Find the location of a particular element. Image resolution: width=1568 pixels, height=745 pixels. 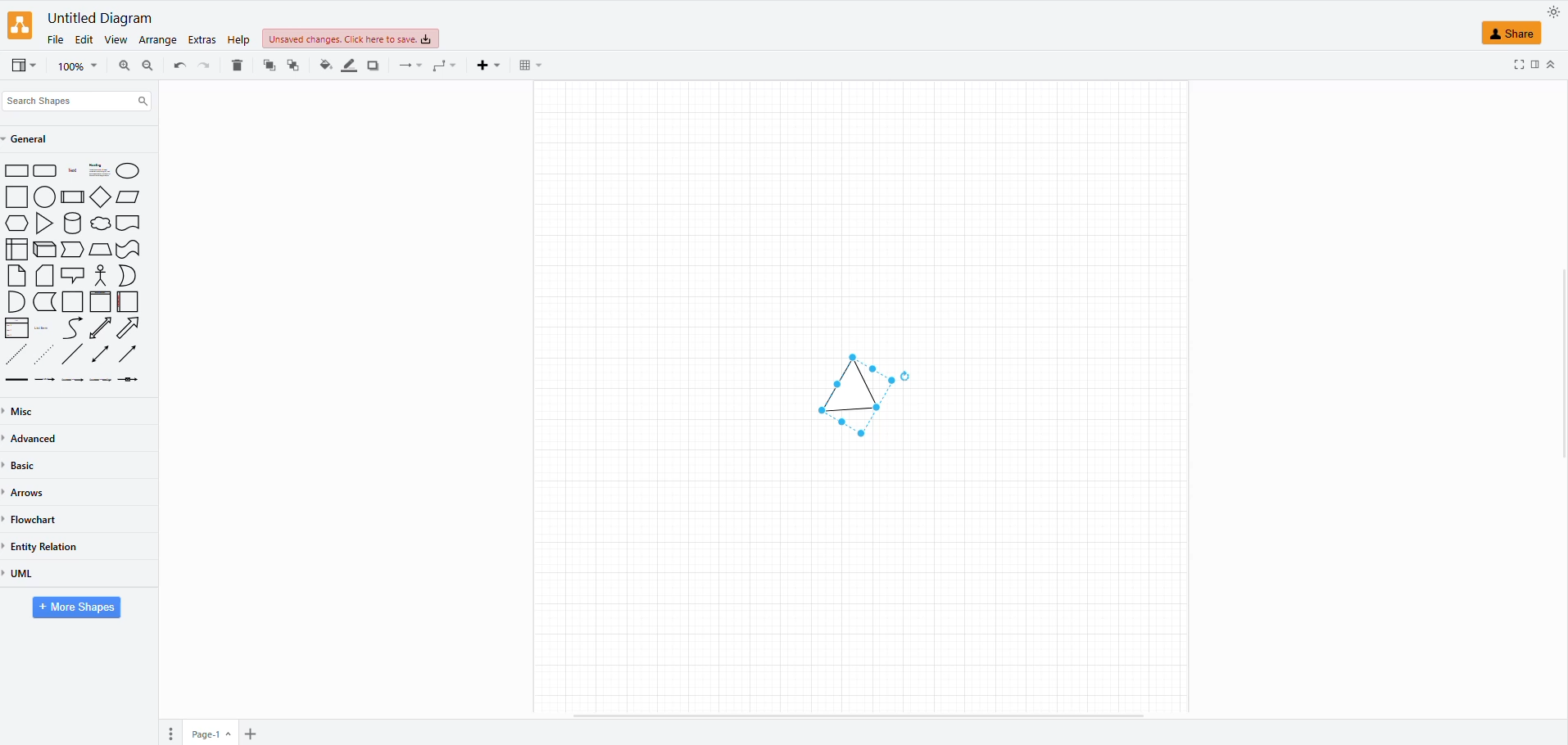

zoom in  is located at coordinates (145, 68).